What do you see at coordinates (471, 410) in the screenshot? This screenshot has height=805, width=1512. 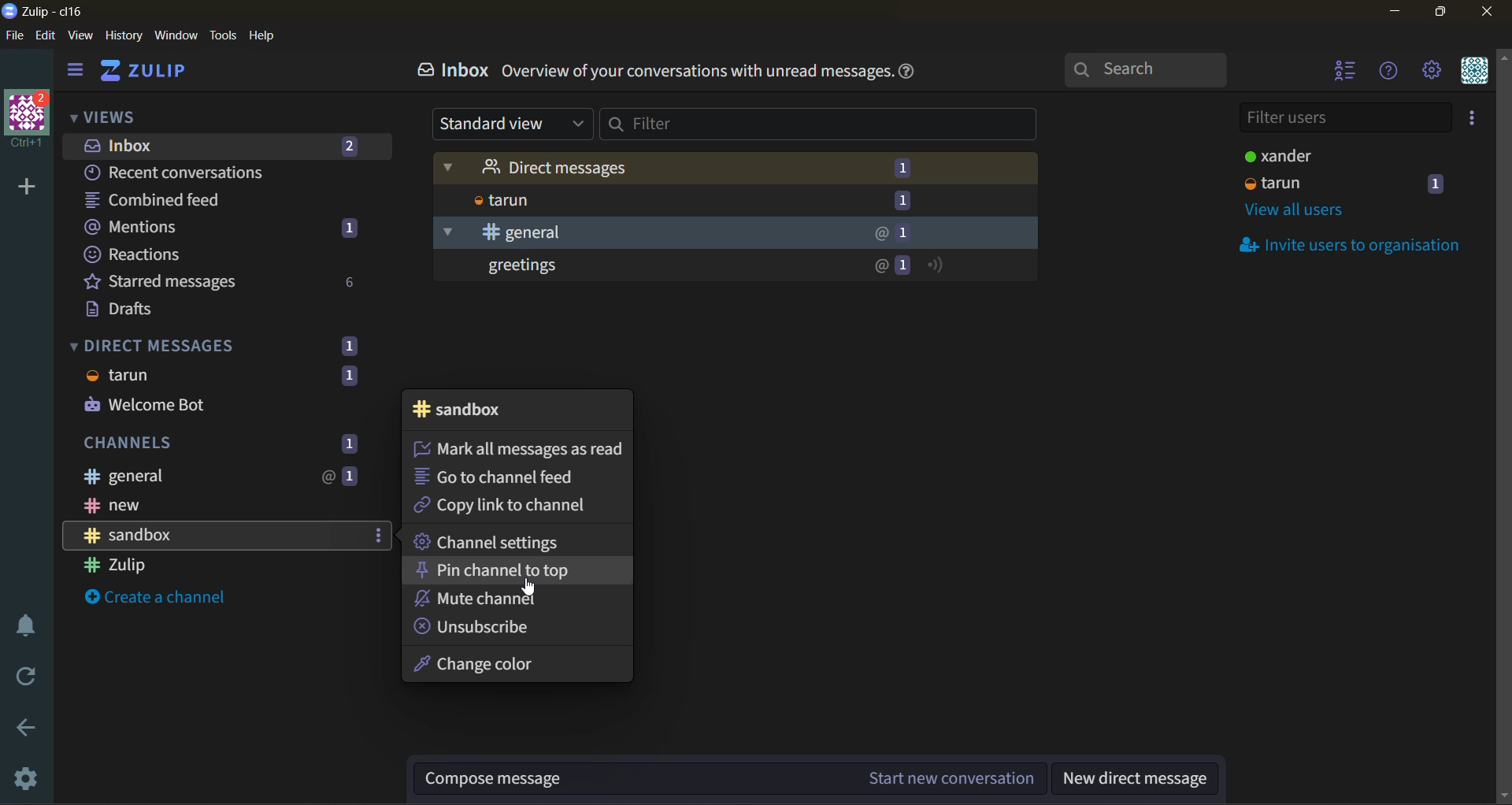 I see `stream name` at bounding box center [471, 410].